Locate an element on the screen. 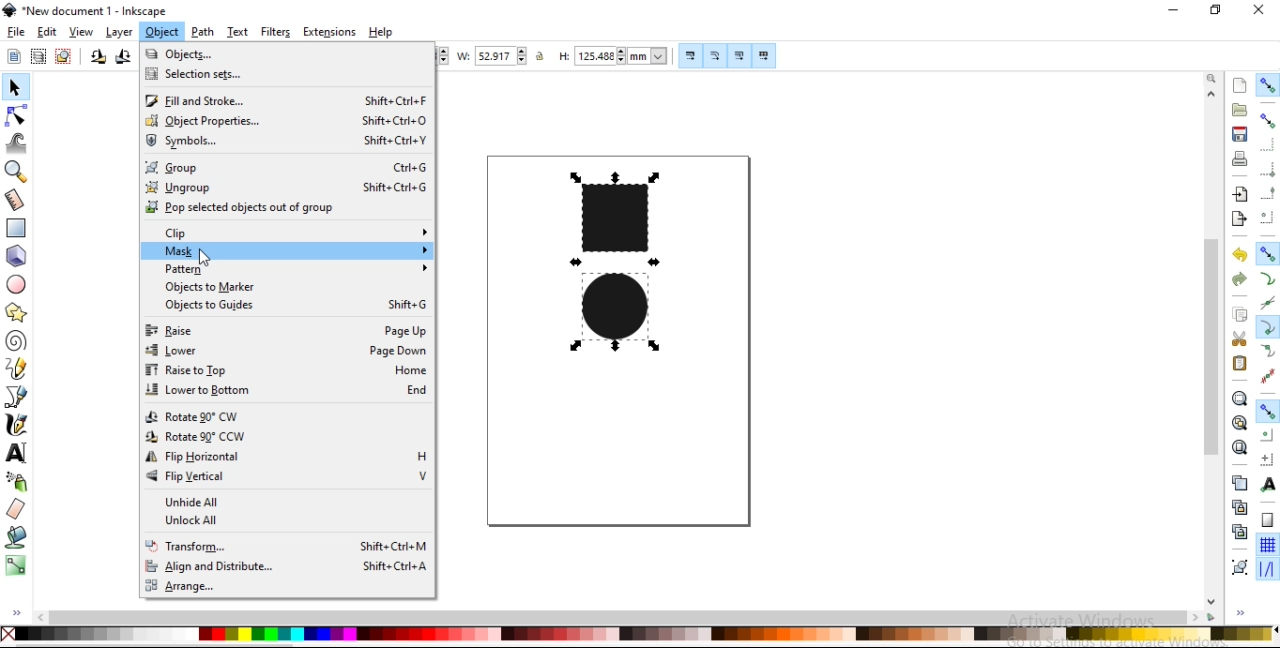 This screenshot has height=648, width=1280. image is located at coordinates (621, 273).